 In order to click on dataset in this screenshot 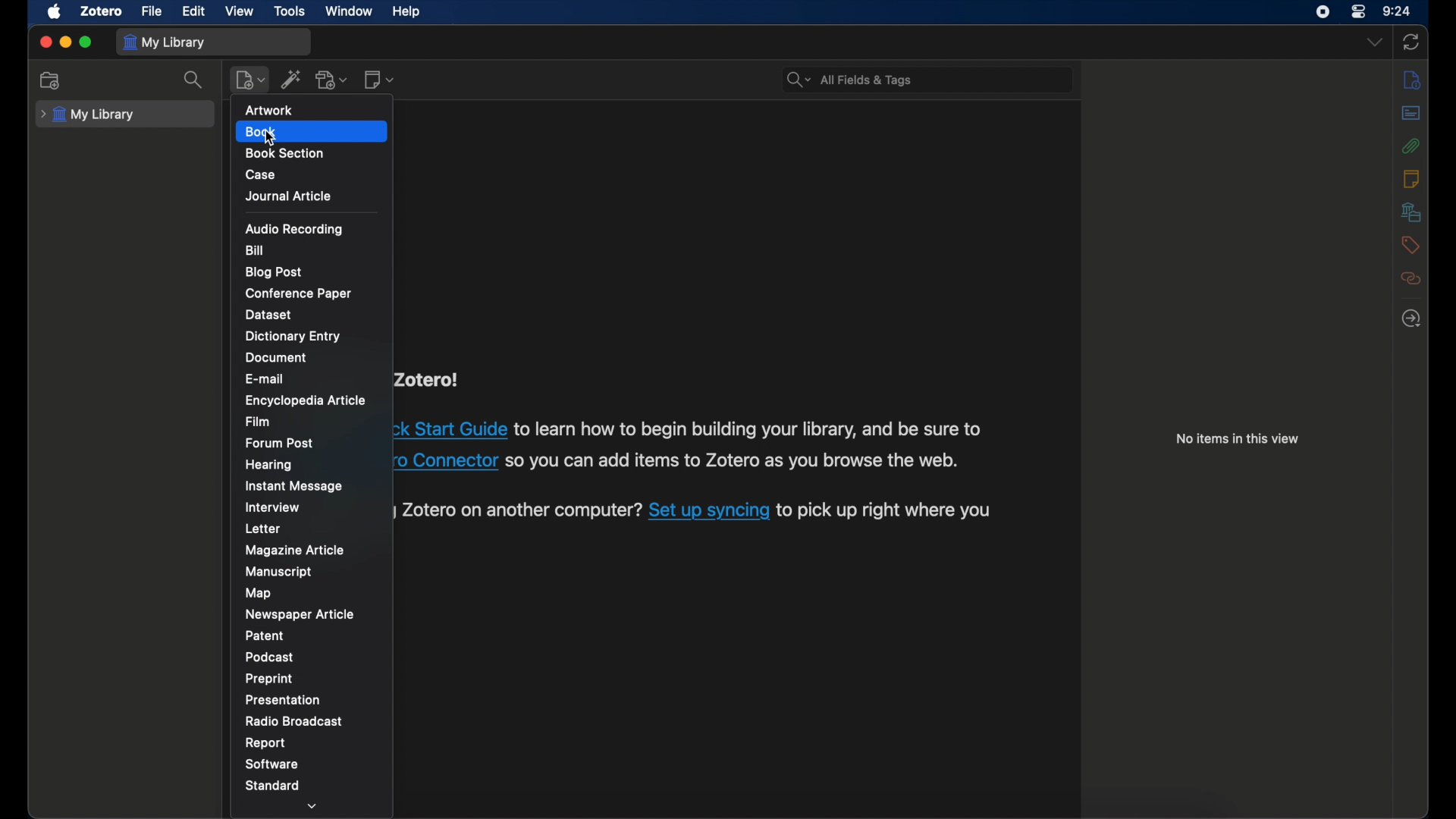, I will do `click(269, 314)`.